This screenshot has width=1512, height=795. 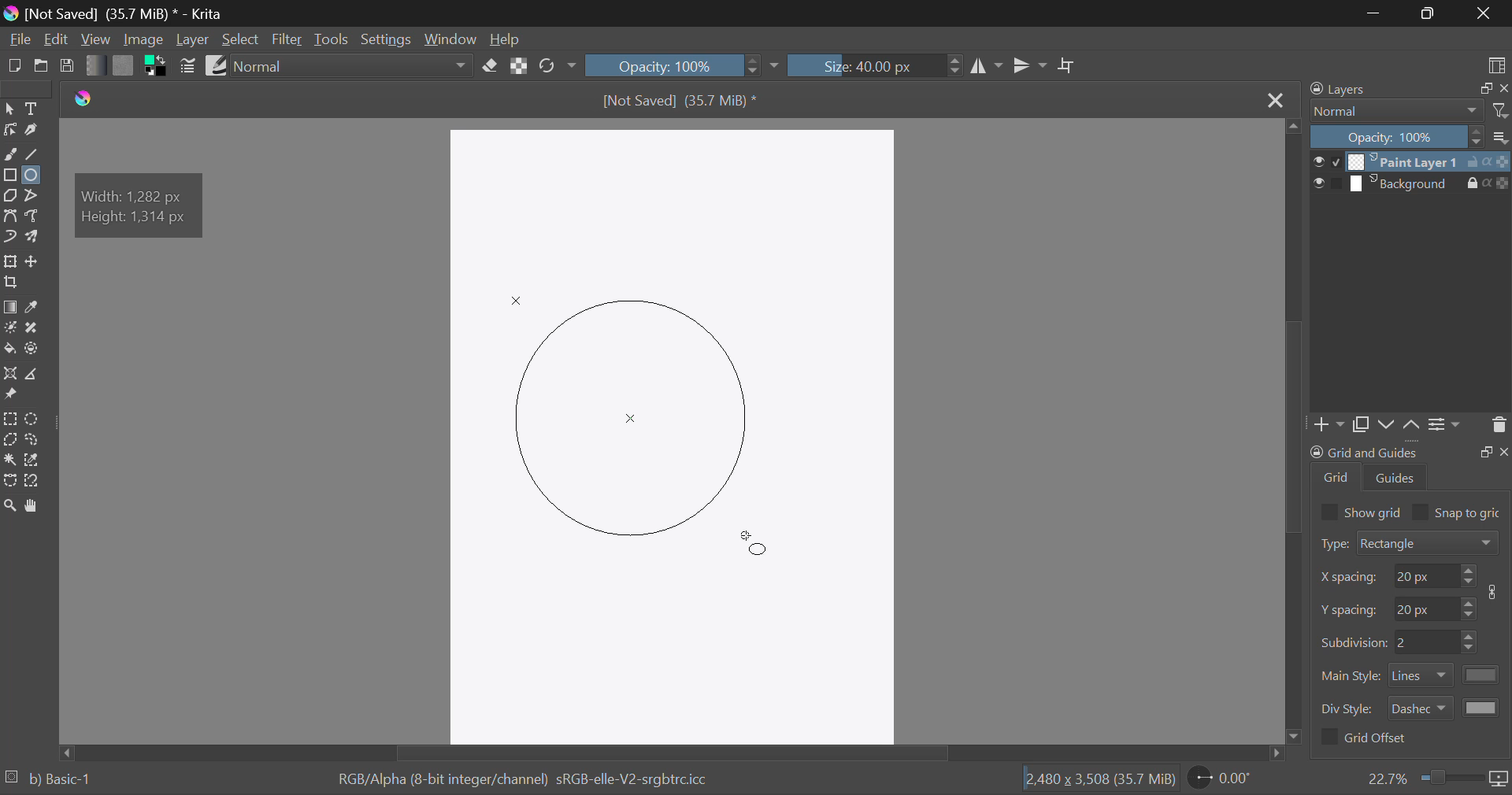 What do you see at coordinates (1295, 126) in the screenshot?
I see `move top` at bounding box center [1295, 126].